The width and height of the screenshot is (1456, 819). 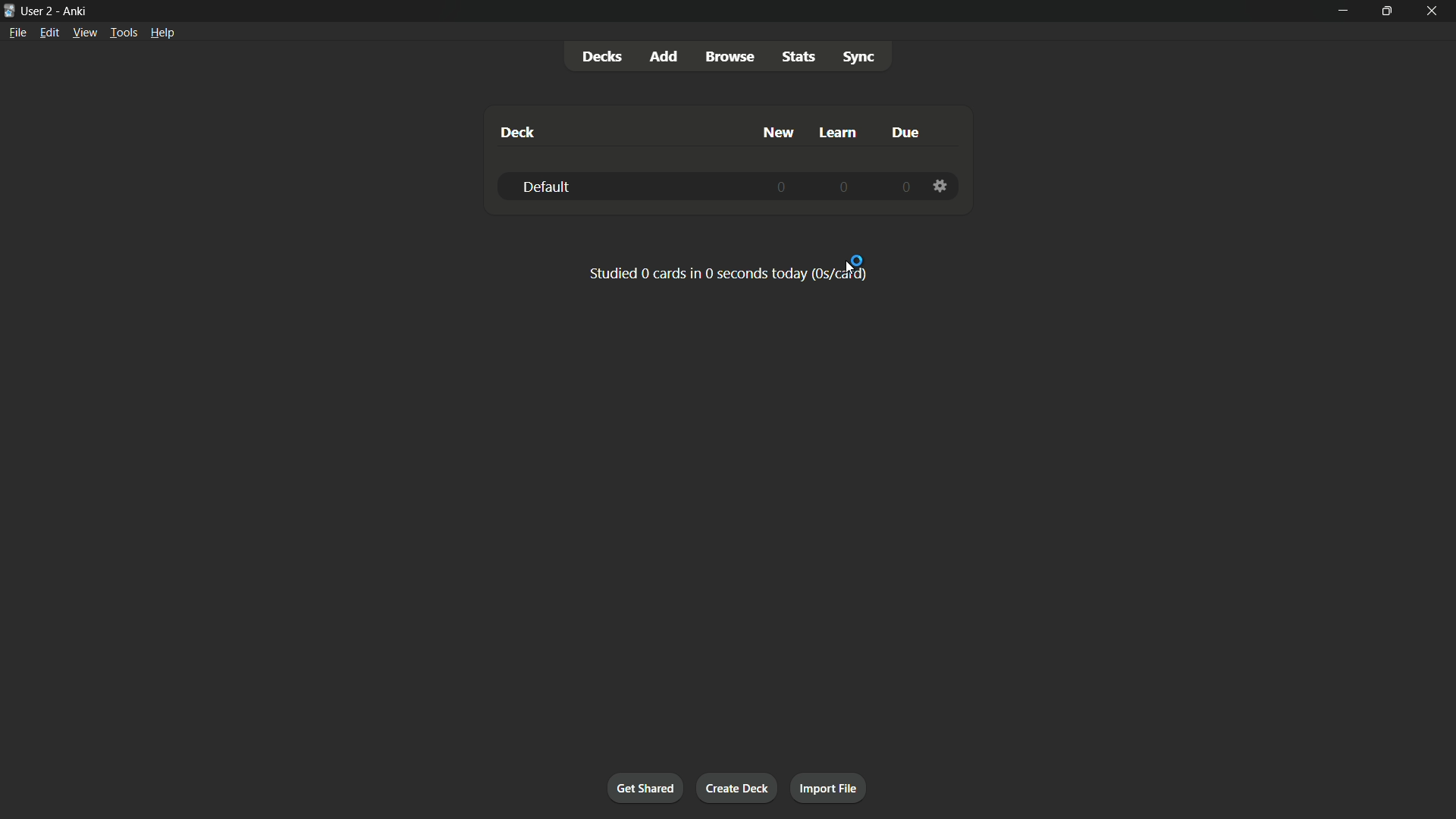 What do you see at coordinates (725, 274) in the screenshot?
I see `Studied 0 cards in 0 seconds today.` at bounding box center [725, 274].